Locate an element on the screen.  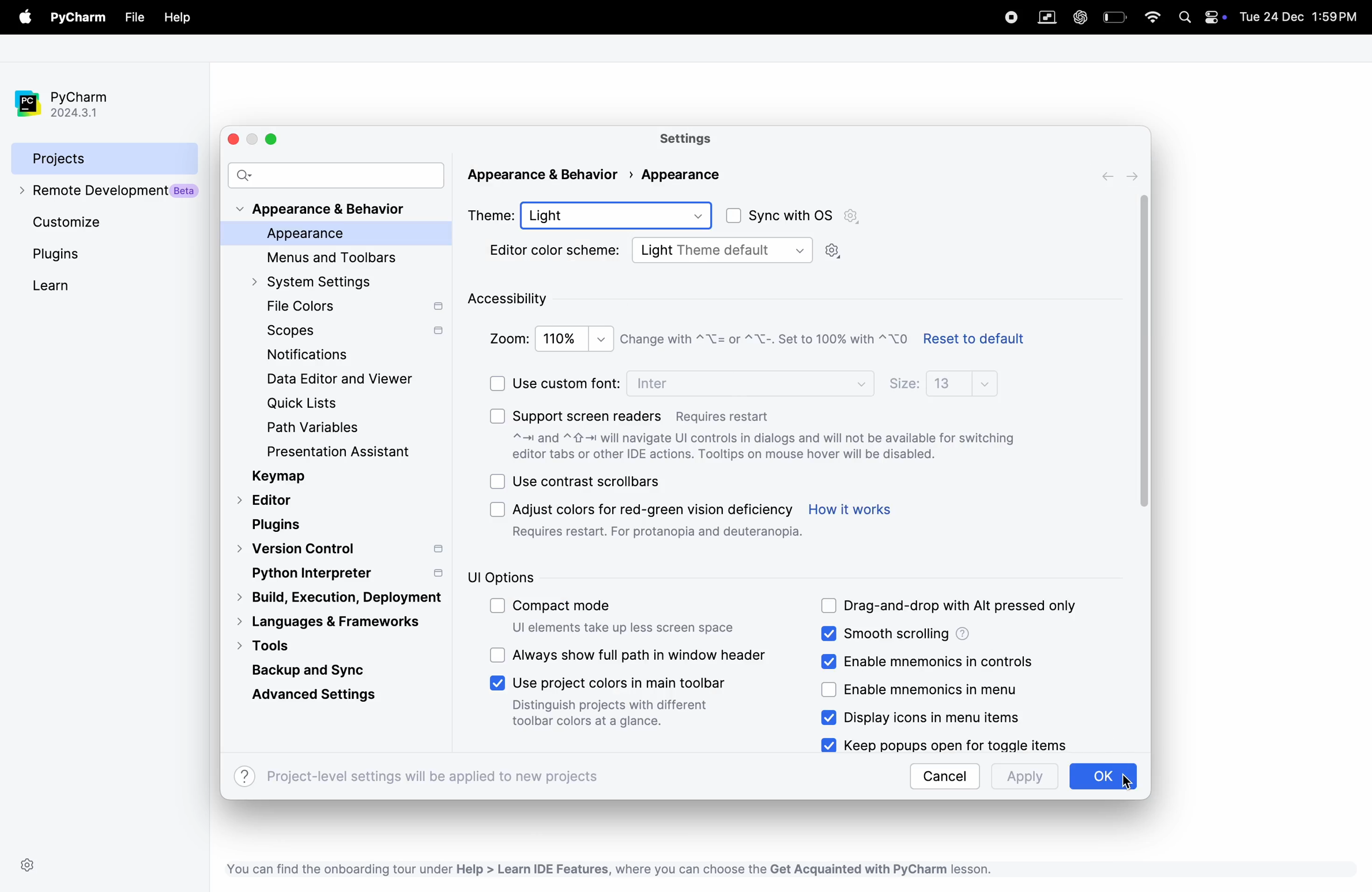
check boxes is located at coordinates (499, 685).